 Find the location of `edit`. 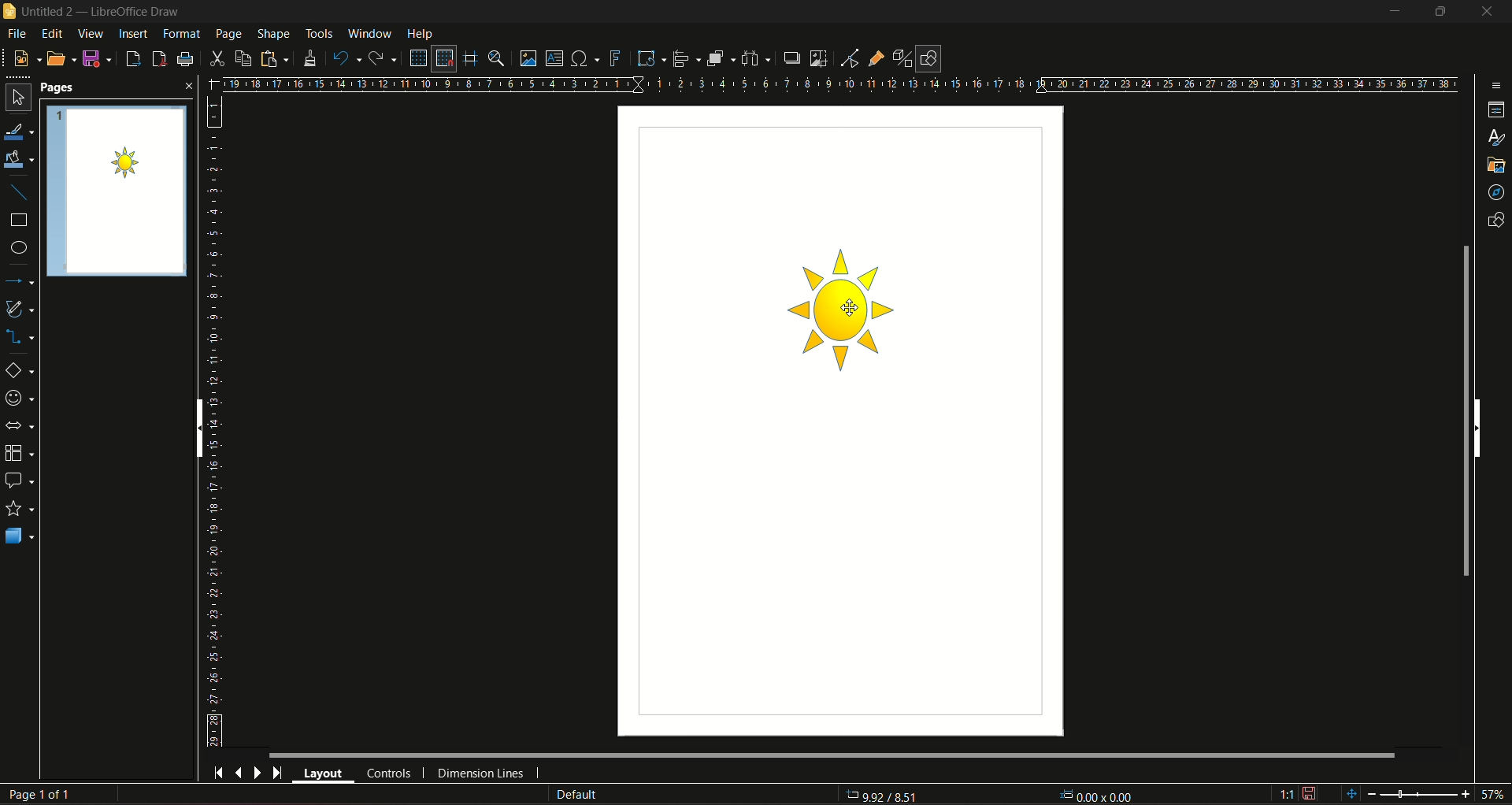

edit is located at coordinates (55, 35).